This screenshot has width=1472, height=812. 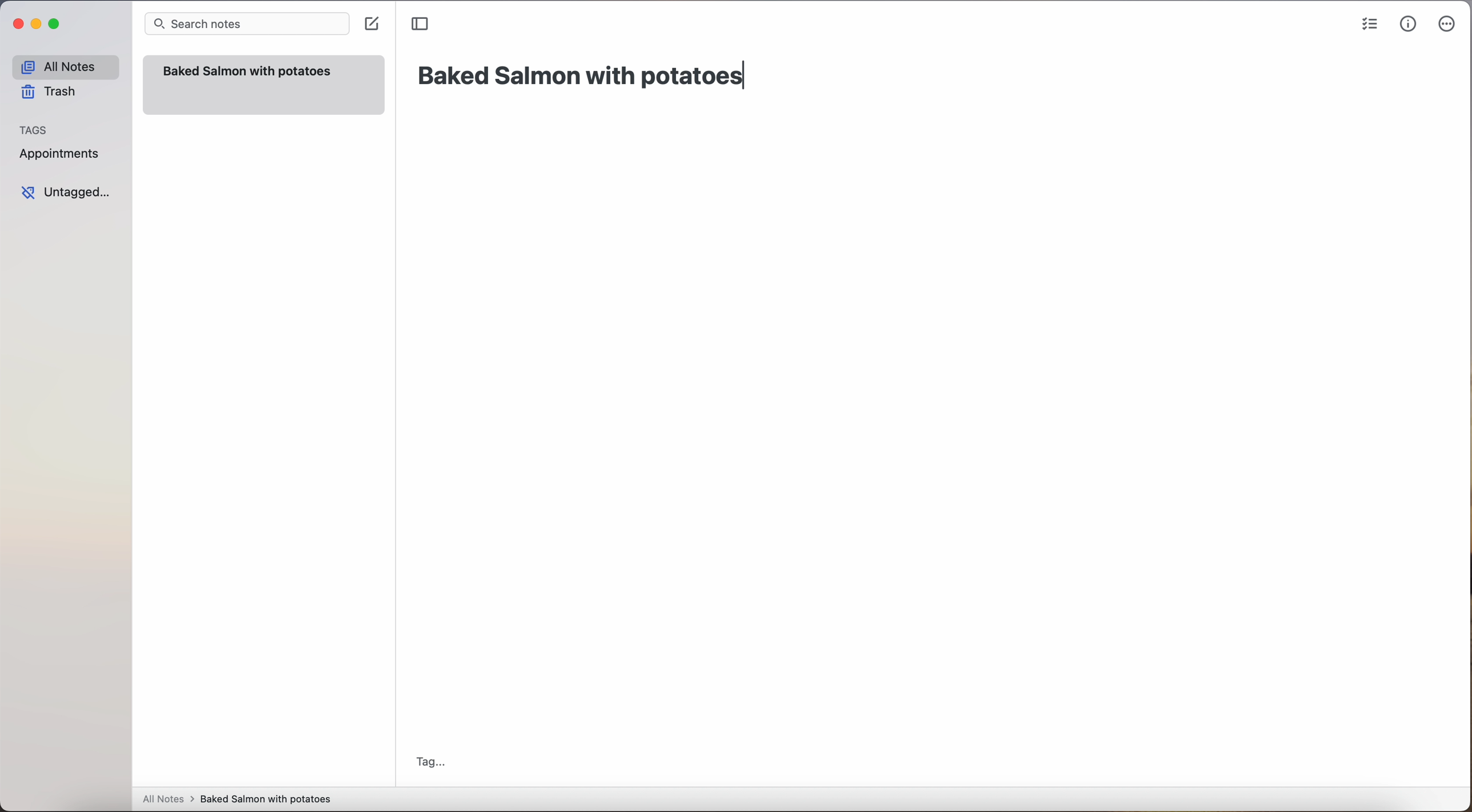 I want to click on title, so click(x=583, y=75).